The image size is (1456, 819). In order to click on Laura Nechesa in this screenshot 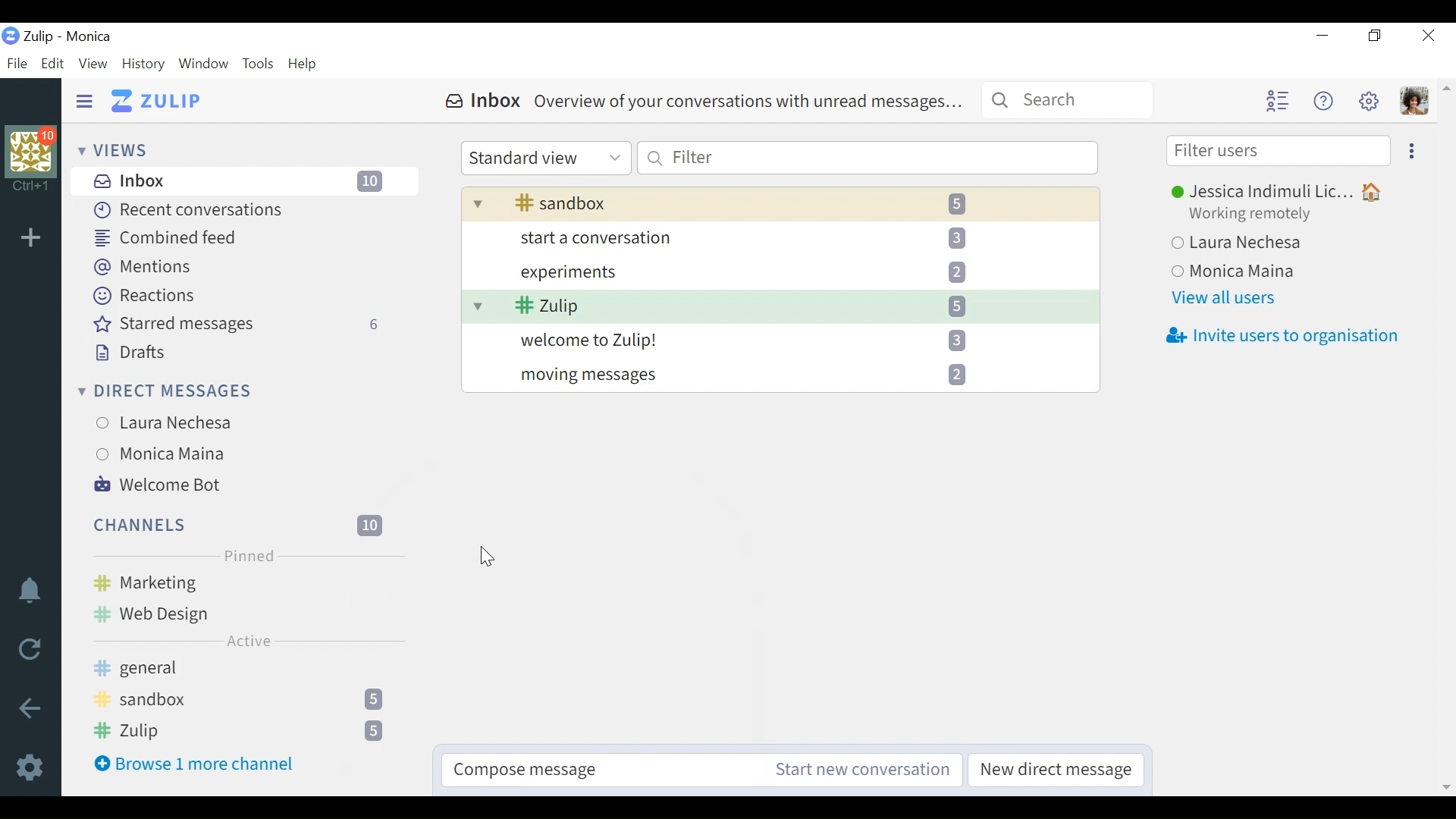, I will do `click(1276, 245)`.